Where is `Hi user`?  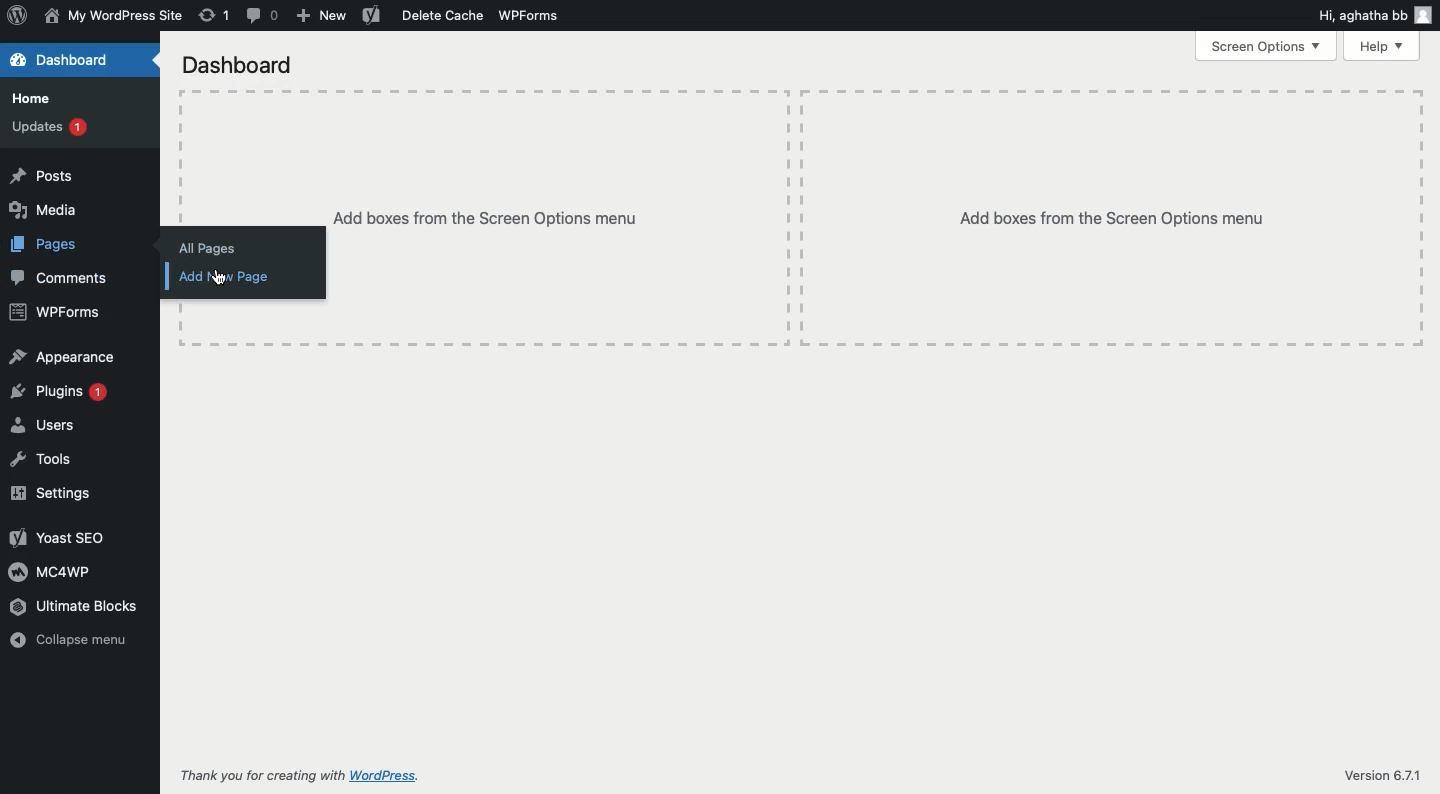
Hi user is located at coordinates (1373, 14).